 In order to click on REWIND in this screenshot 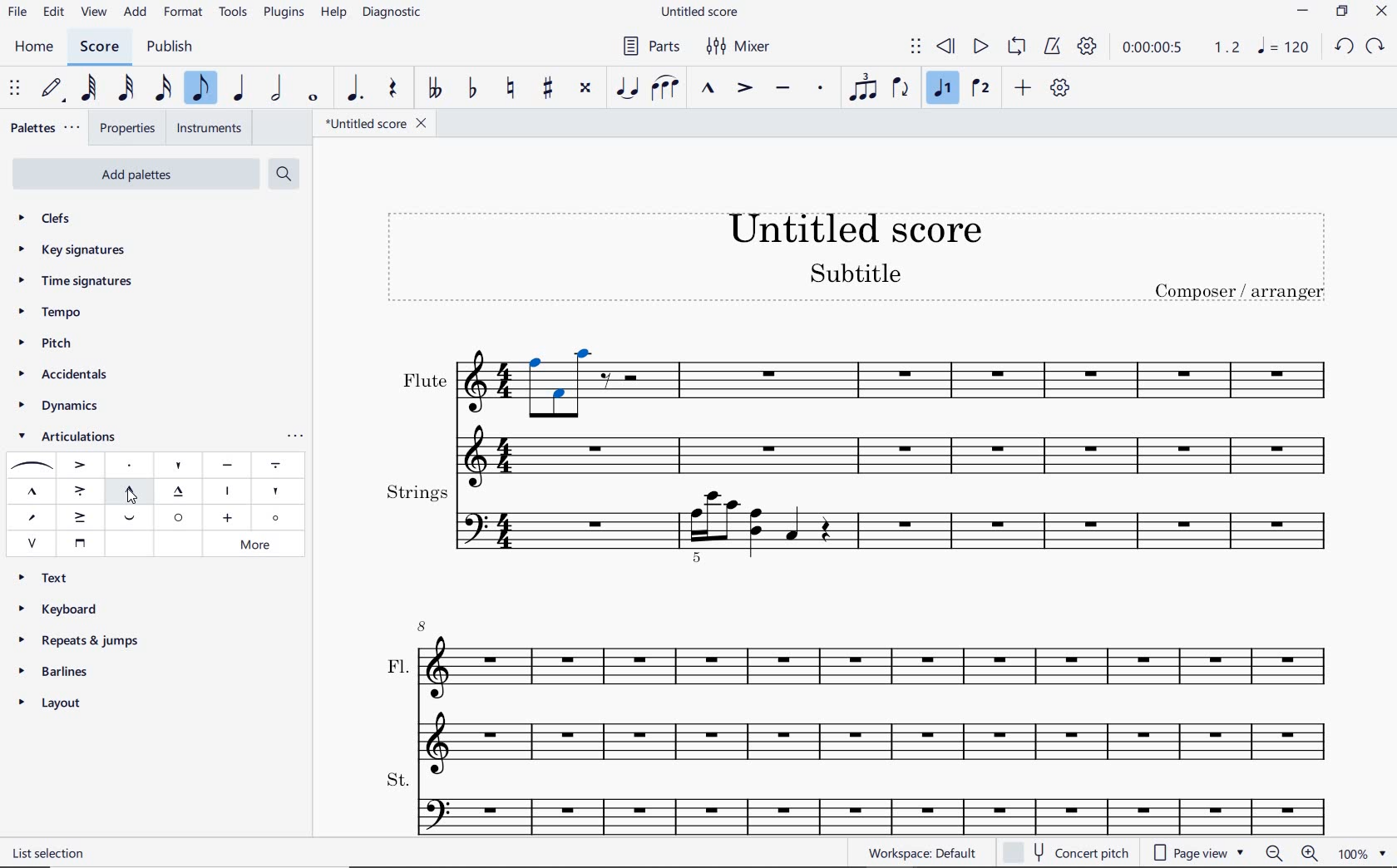, I will do `click(943, 47)`.